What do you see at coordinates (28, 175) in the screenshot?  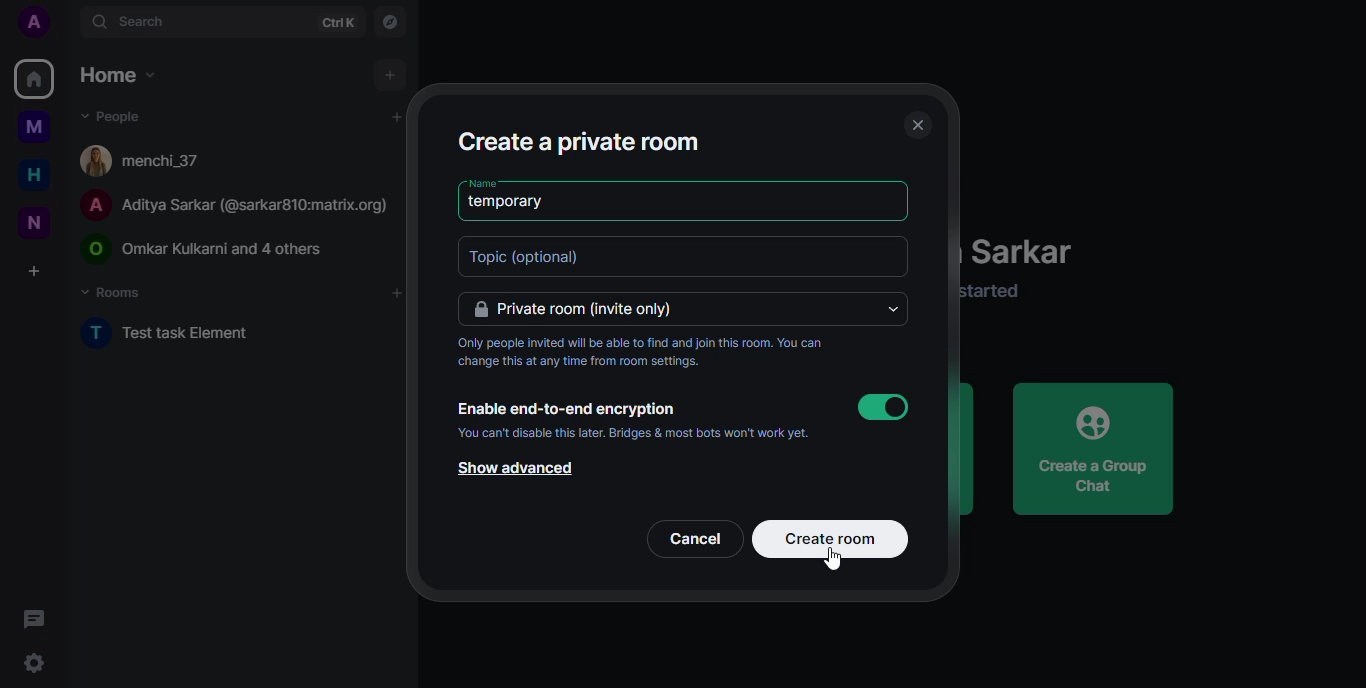 I see `home` at bounding box center [28, 175].